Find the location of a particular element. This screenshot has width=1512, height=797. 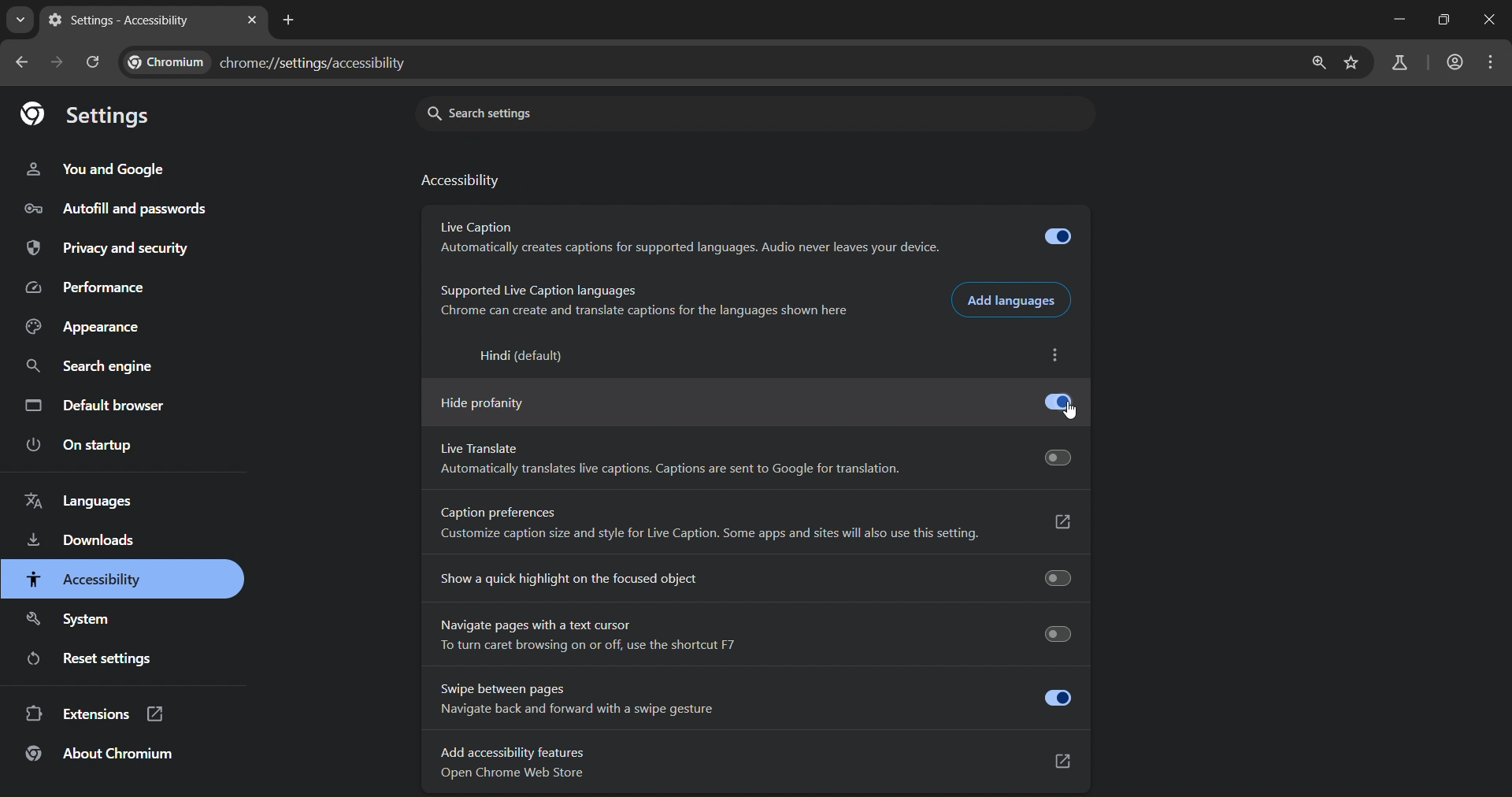

system is located at coordinates (77, 621).